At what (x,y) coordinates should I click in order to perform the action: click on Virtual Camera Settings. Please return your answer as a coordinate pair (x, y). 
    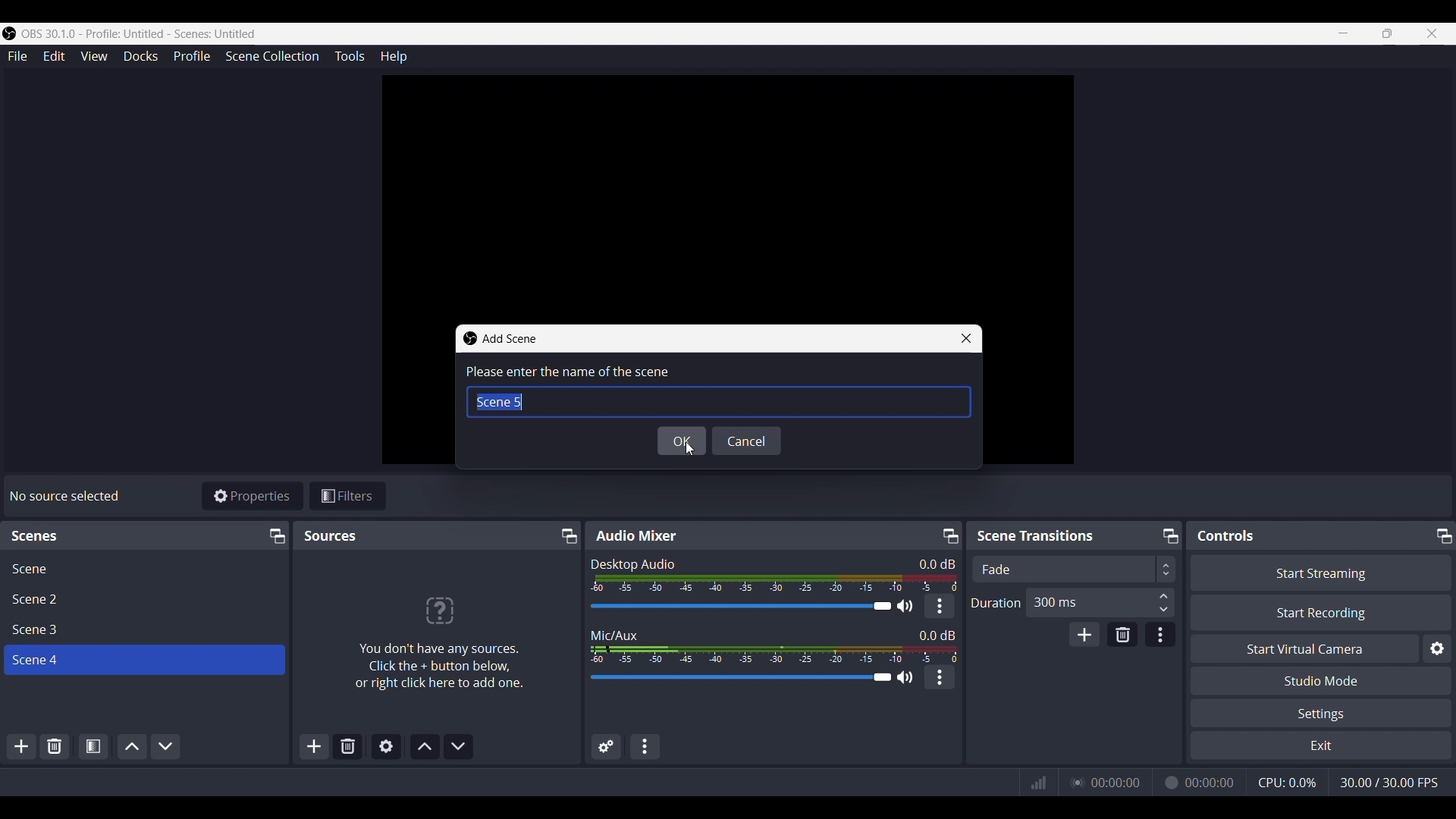
    Looking at the image, I should click on (1437, 648).